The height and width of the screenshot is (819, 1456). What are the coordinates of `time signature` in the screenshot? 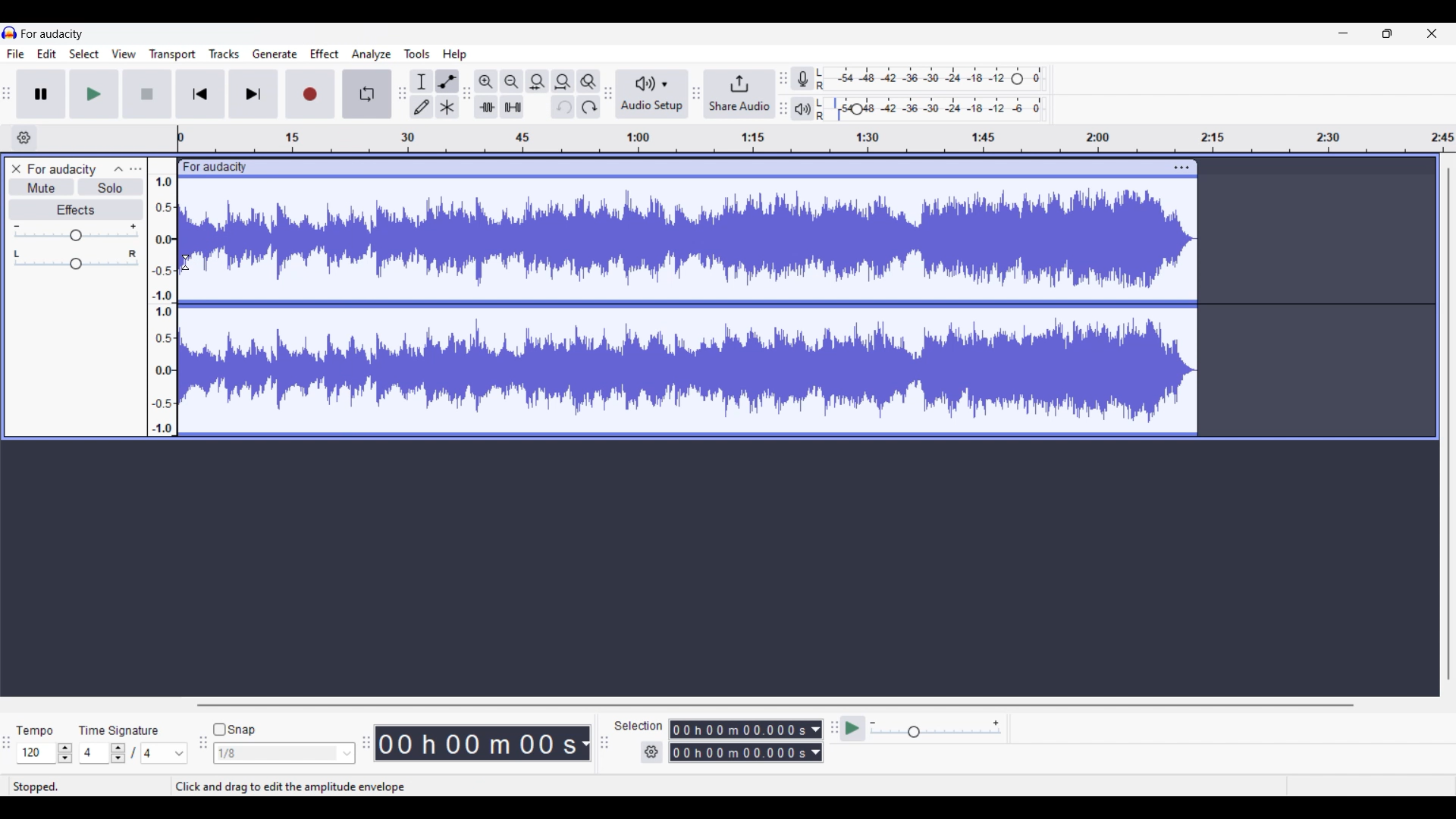 It's located at (118, 731).